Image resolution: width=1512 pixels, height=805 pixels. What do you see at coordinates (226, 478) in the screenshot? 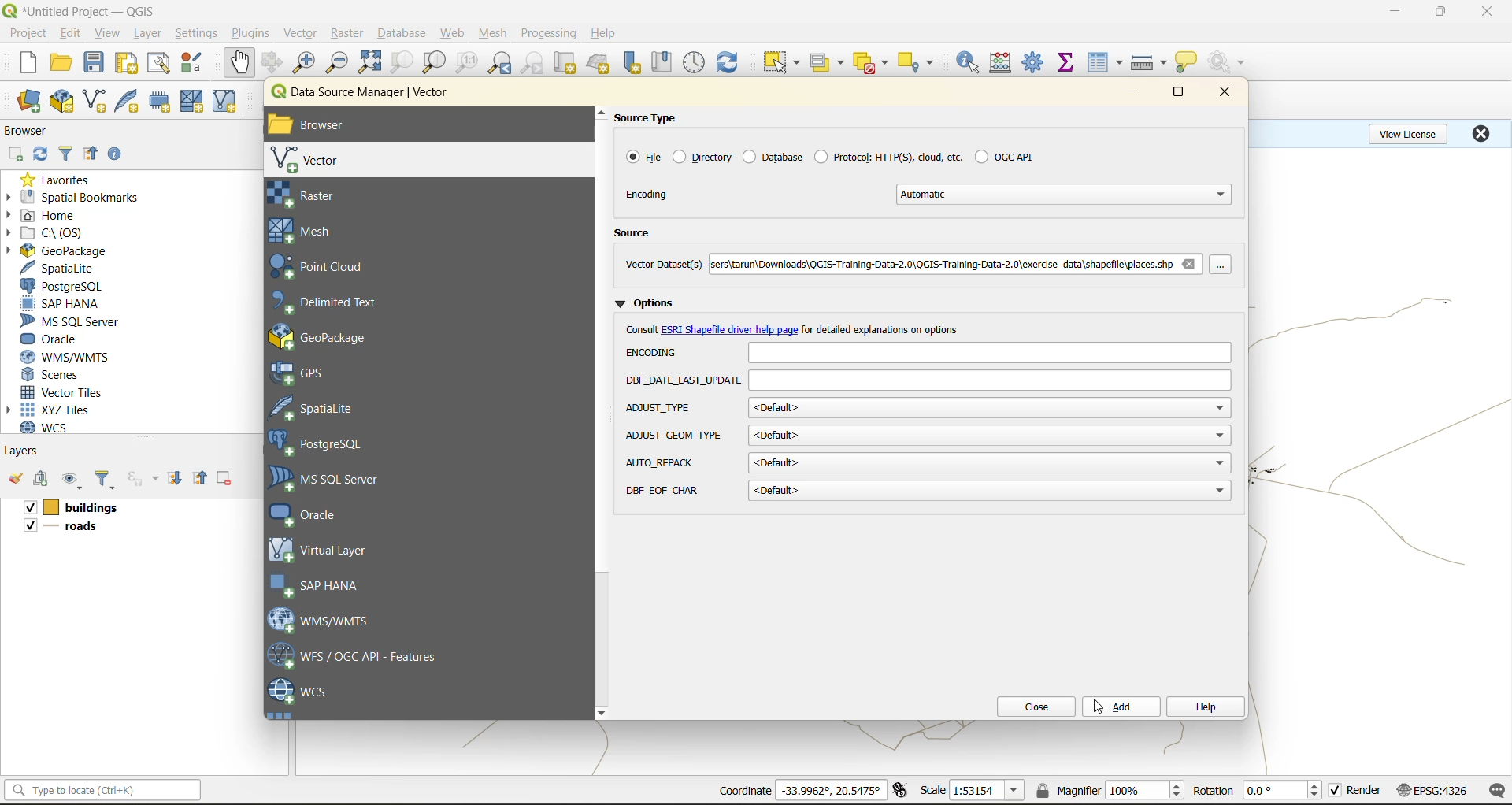
I see `remove layer` at bounding box center [226, 478].